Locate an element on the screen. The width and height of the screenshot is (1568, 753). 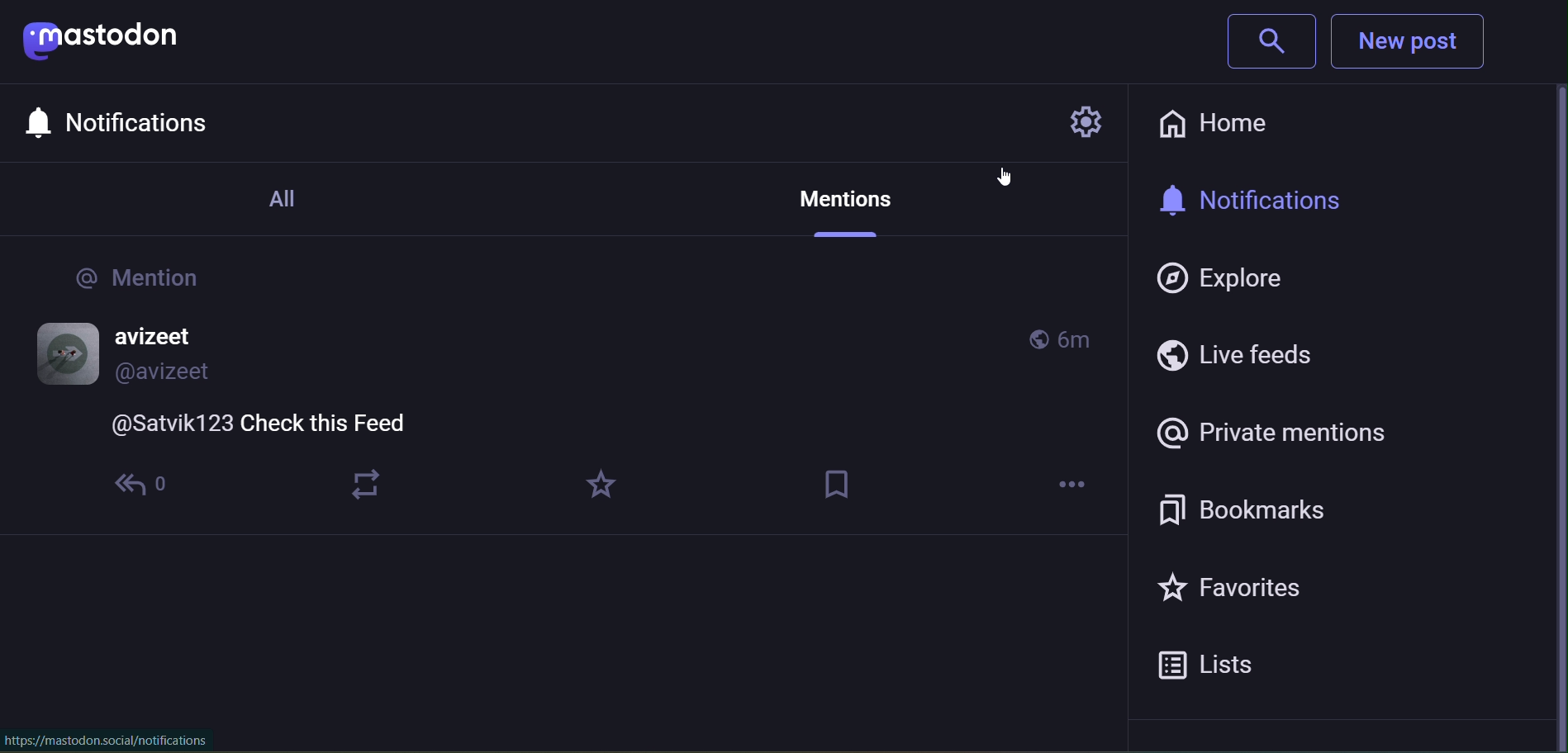
Explore is located at coordinates (1225, 278).